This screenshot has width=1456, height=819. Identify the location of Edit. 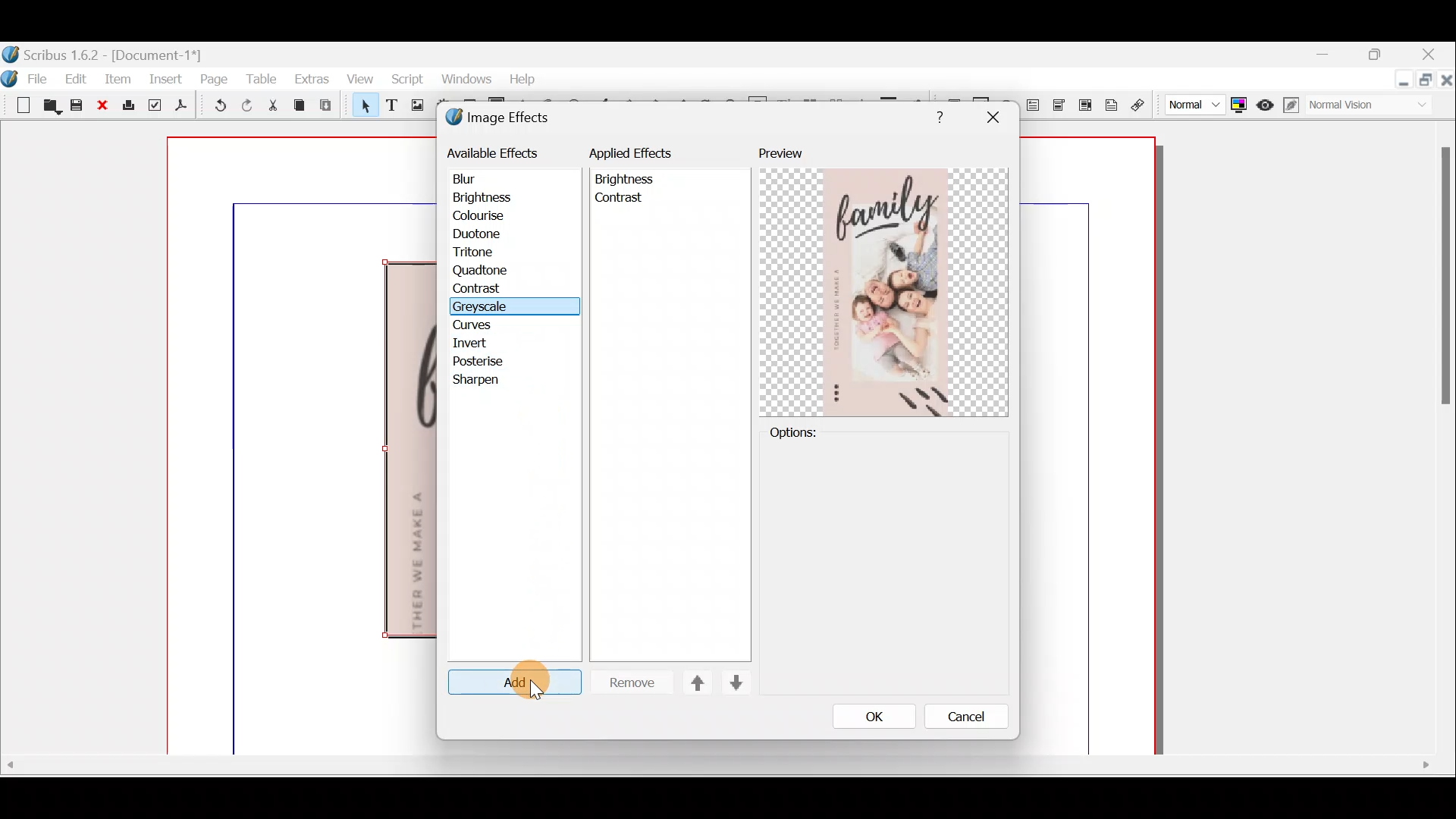
(77, 78).